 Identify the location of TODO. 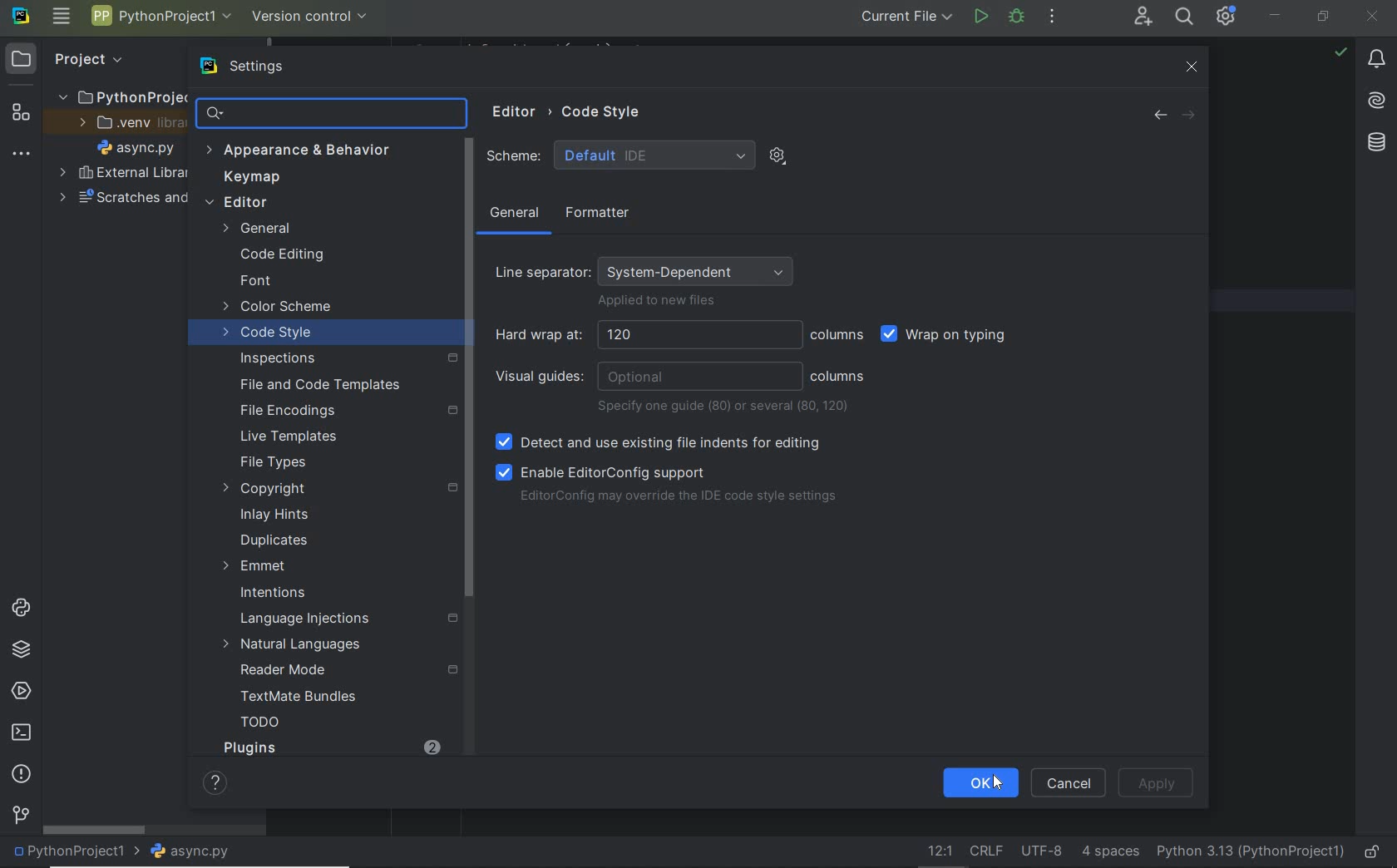
(260, 725).